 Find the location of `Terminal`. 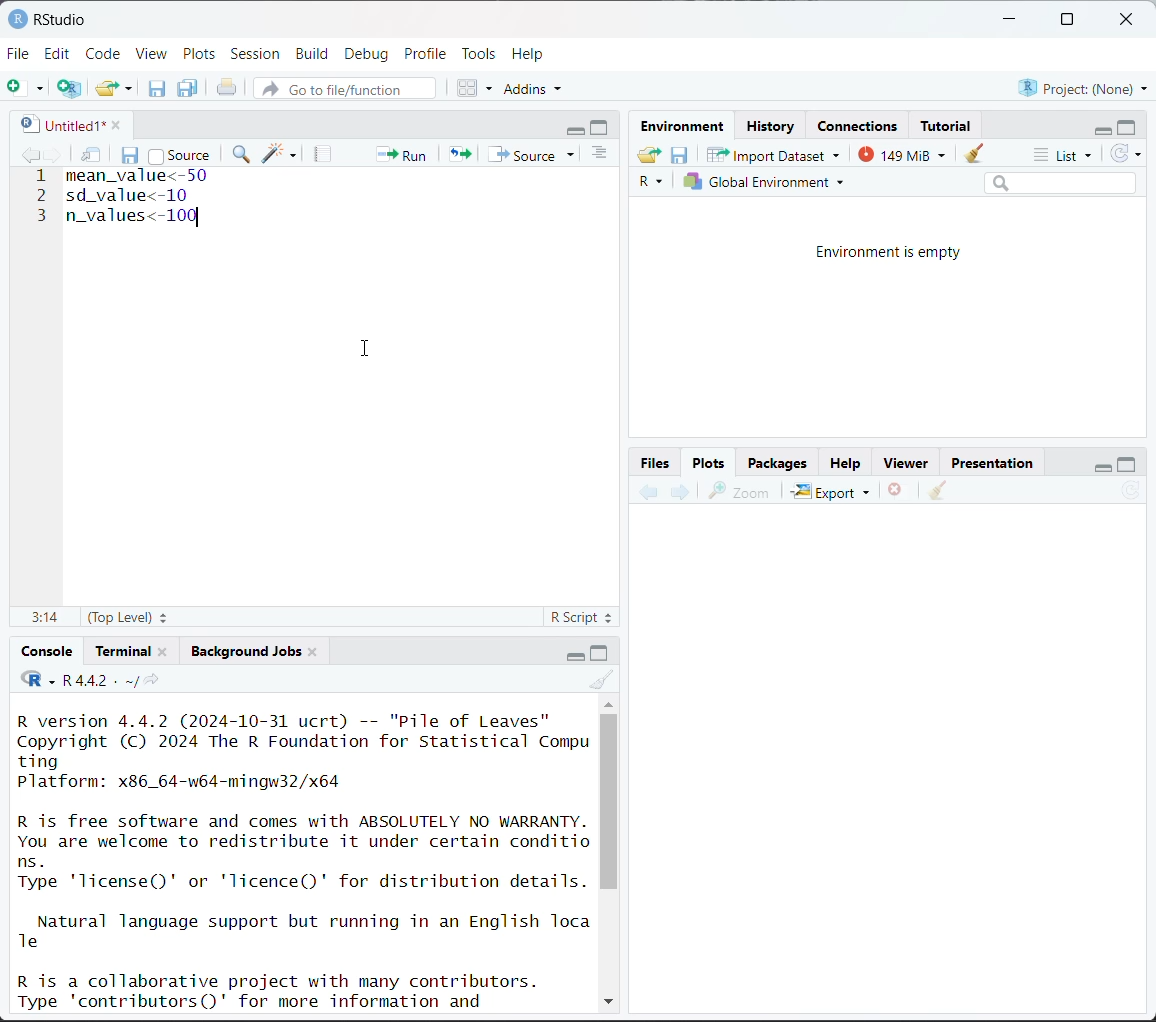

Terminal is located at coordinates (125, 648).